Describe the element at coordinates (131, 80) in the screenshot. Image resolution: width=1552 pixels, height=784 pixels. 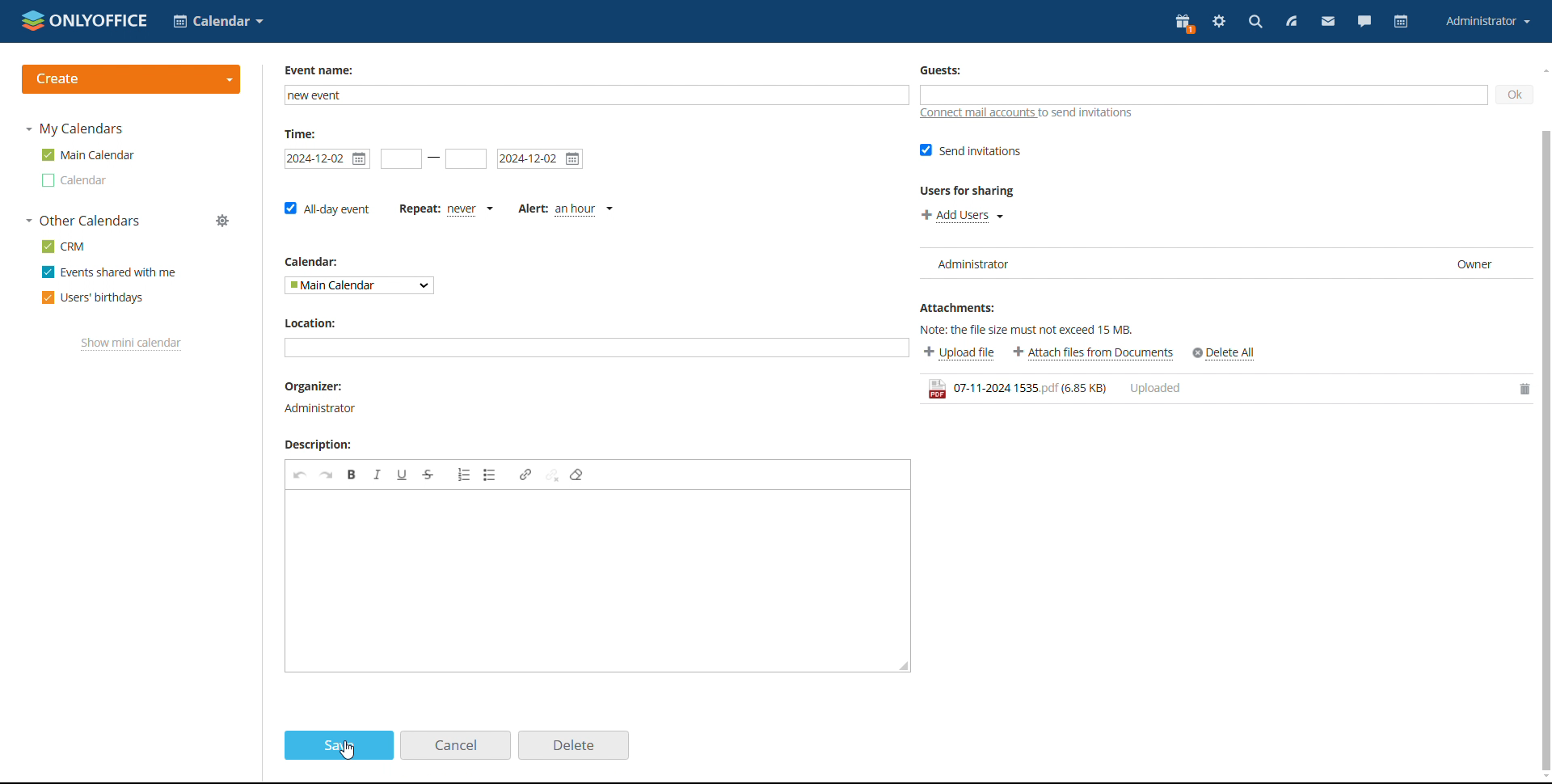
I see `create` at that location.